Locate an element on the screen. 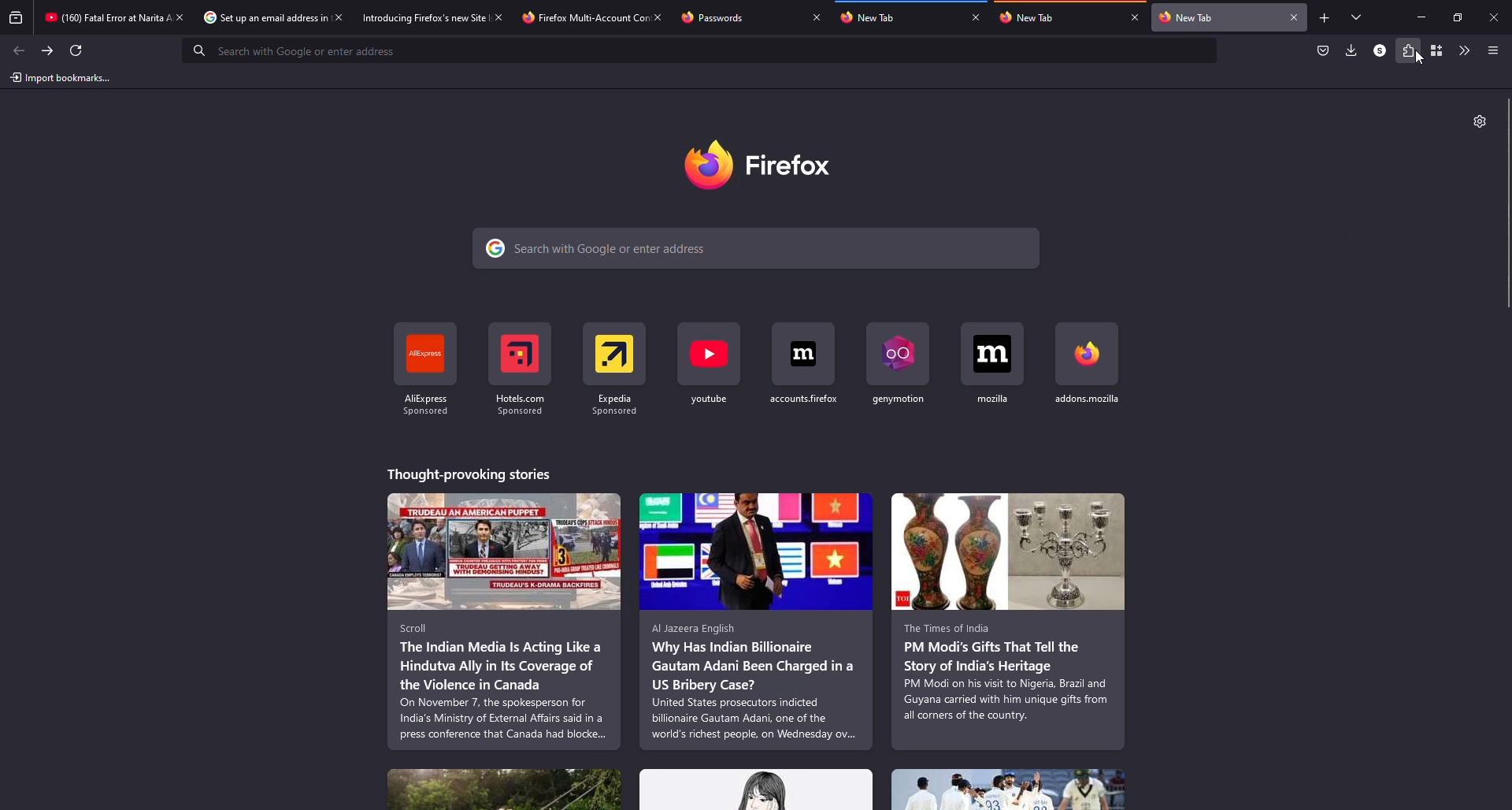 The height and width of the screenshot is (810, 1512). stories is located at coordinates (504, 789).